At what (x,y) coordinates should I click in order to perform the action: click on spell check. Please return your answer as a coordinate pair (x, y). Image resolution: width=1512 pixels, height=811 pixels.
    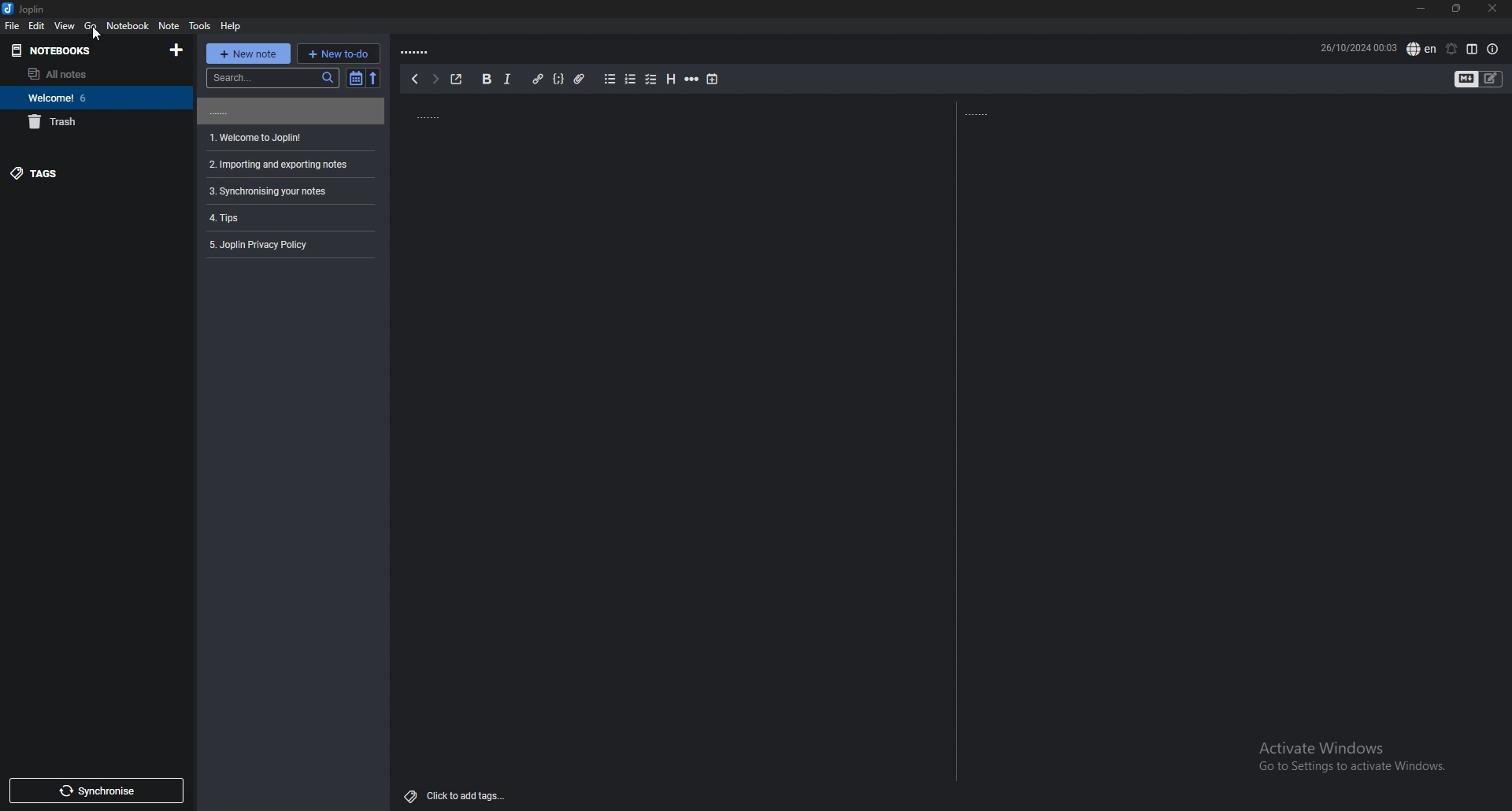
    Looking at the image, I should click on (1421, 48).